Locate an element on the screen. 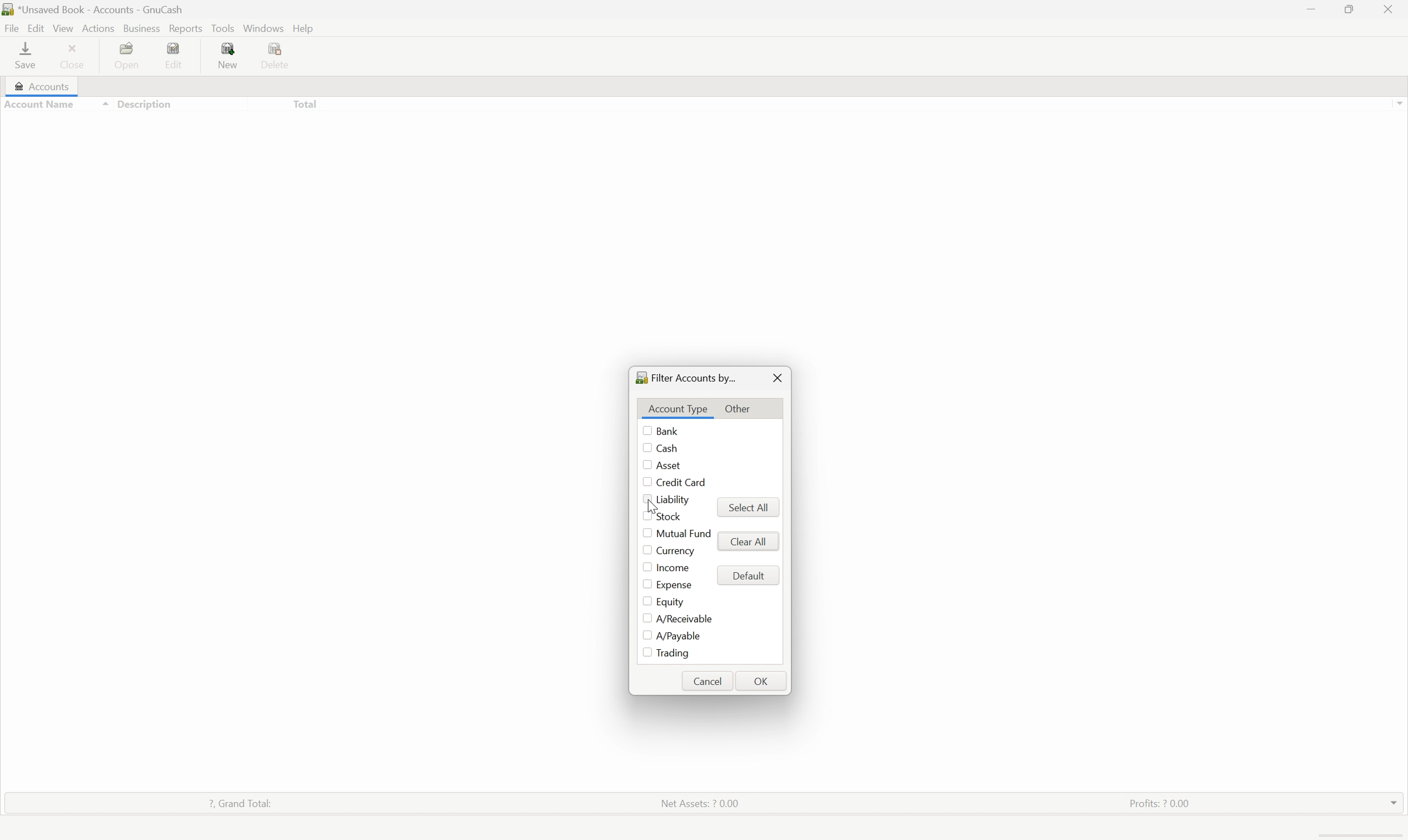 The height and width of the screenshot is (840, 1408). Checkbox is located at coordinates (645, 583).